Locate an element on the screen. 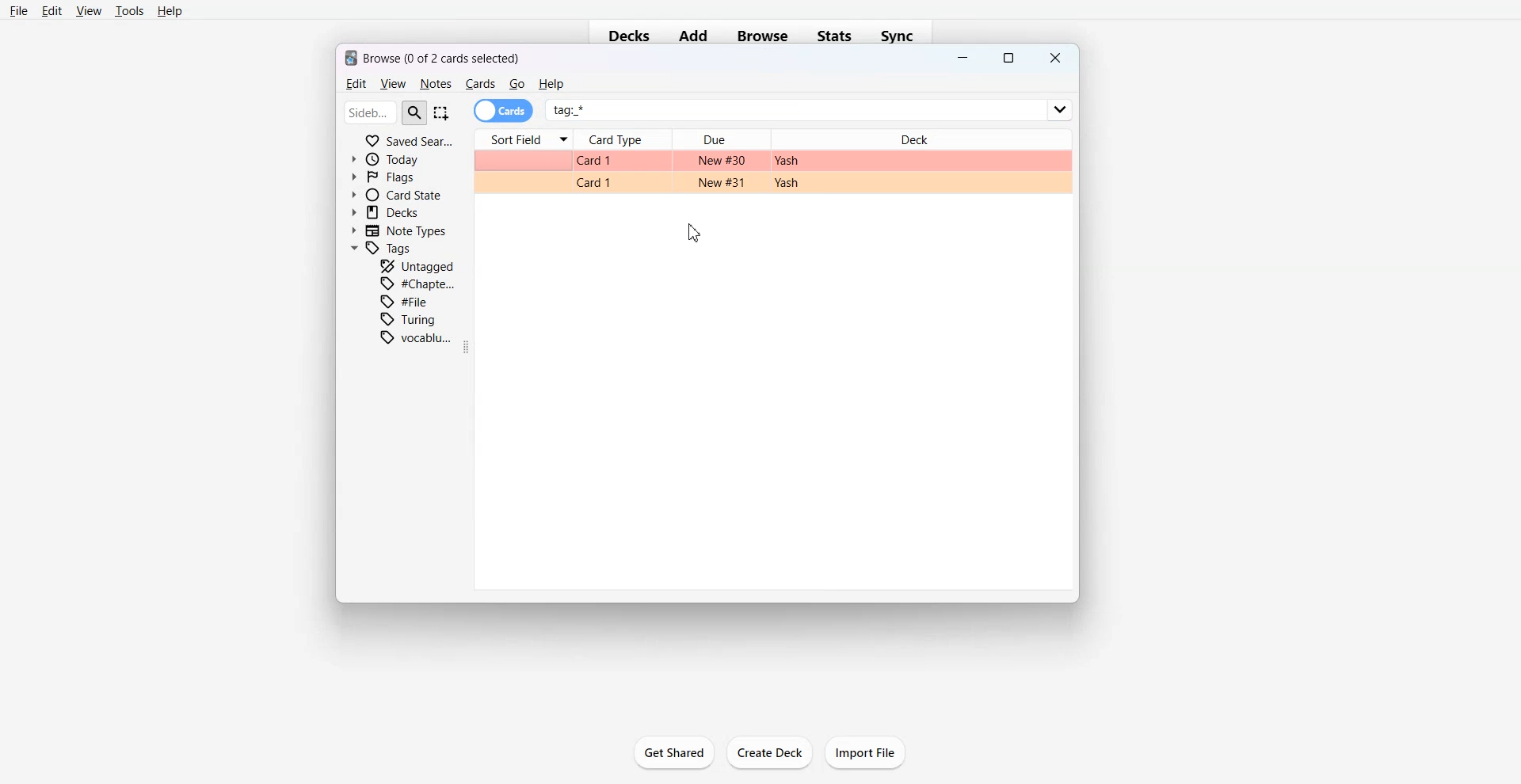  Cards is located at coordinates (480, 84).